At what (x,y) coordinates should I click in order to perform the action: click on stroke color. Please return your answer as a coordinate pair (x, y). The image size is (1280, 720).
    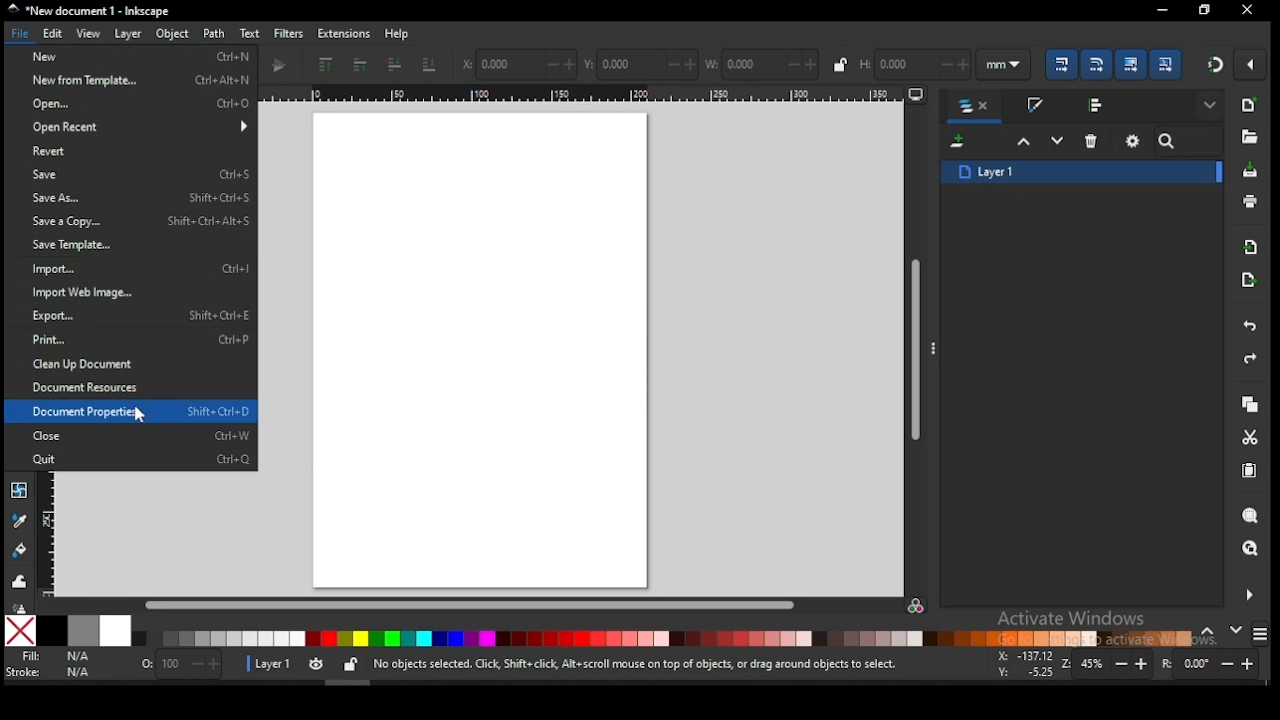
    Looking at the image, I should click on (49, 671).